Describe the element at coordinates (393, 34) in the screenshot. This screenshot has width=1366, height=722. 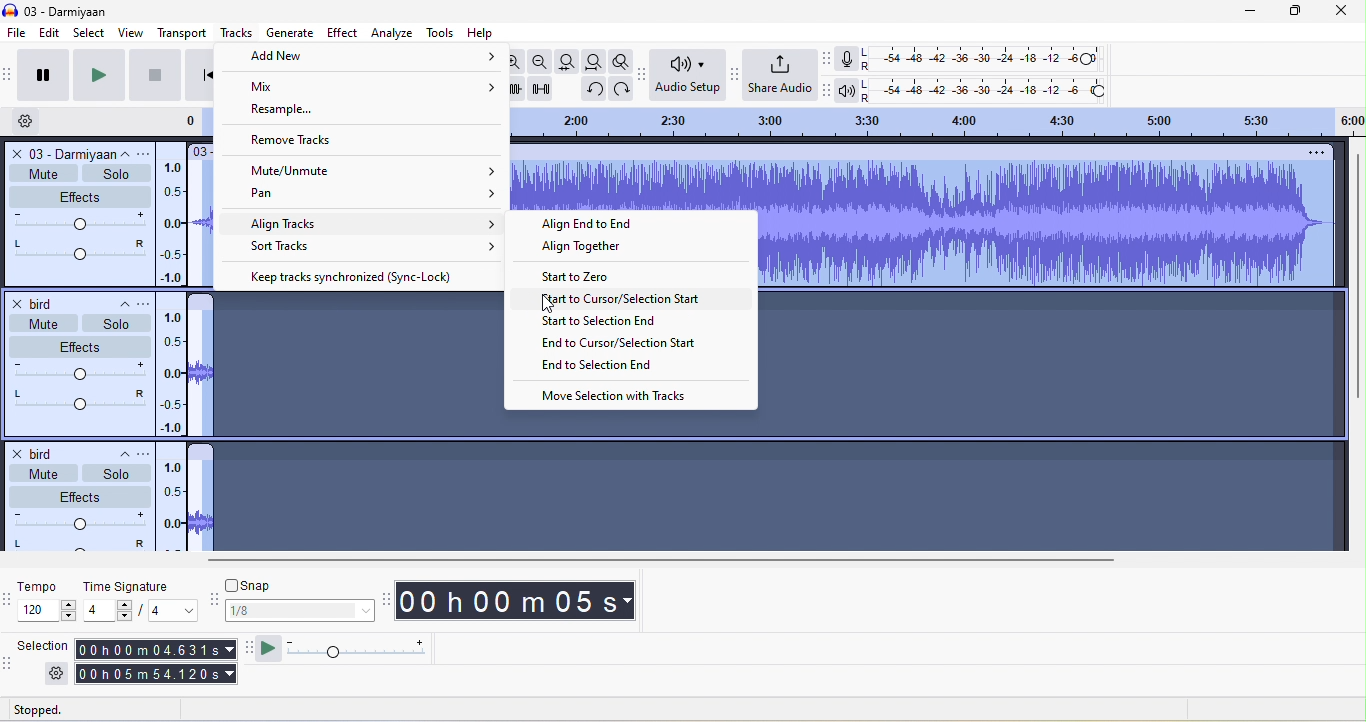
I see `analyze` at that location.